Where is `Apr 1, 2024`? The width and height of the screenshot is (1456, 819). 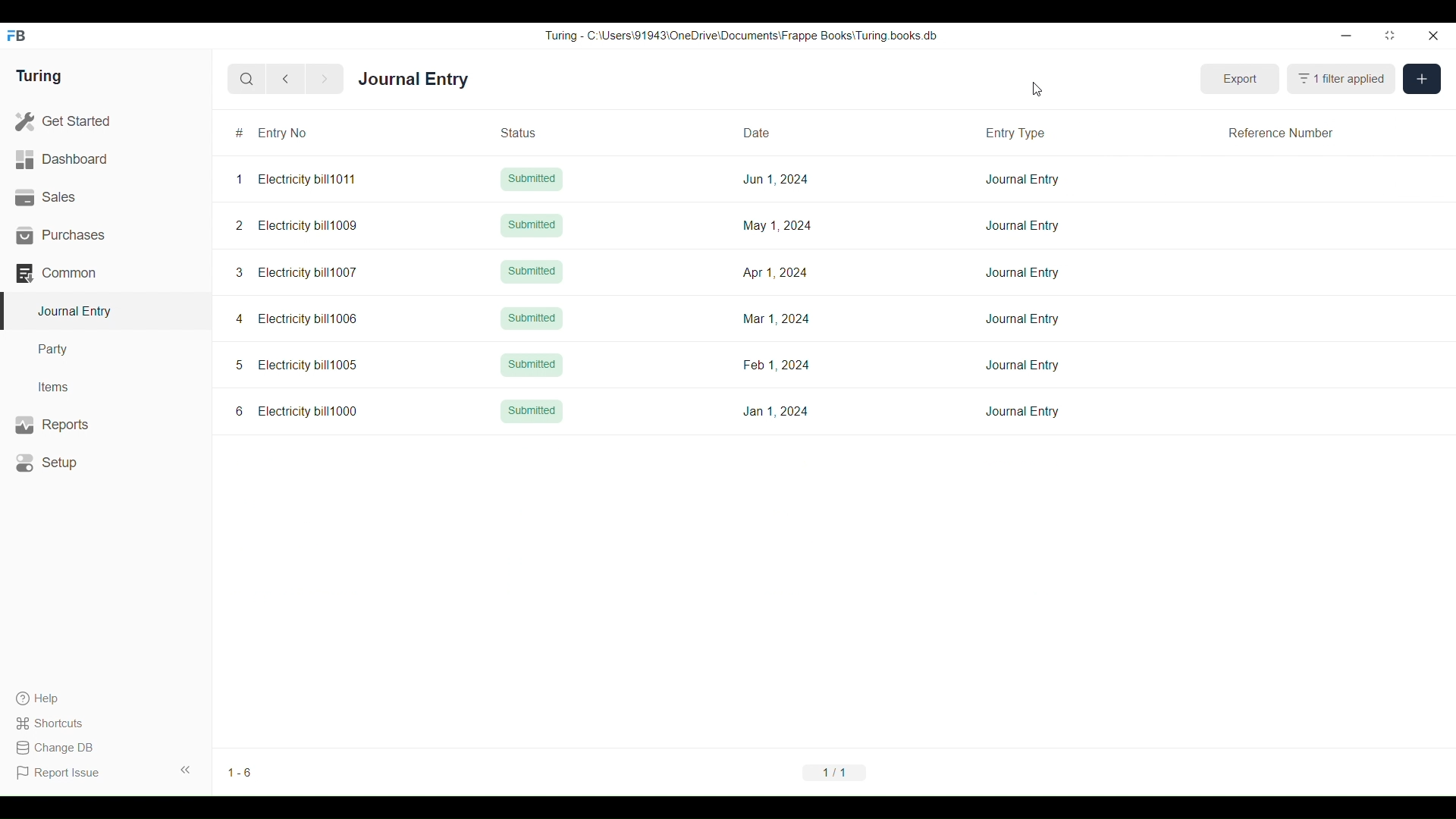
Apr 1, 2024 is located at coordinates (776, 271).